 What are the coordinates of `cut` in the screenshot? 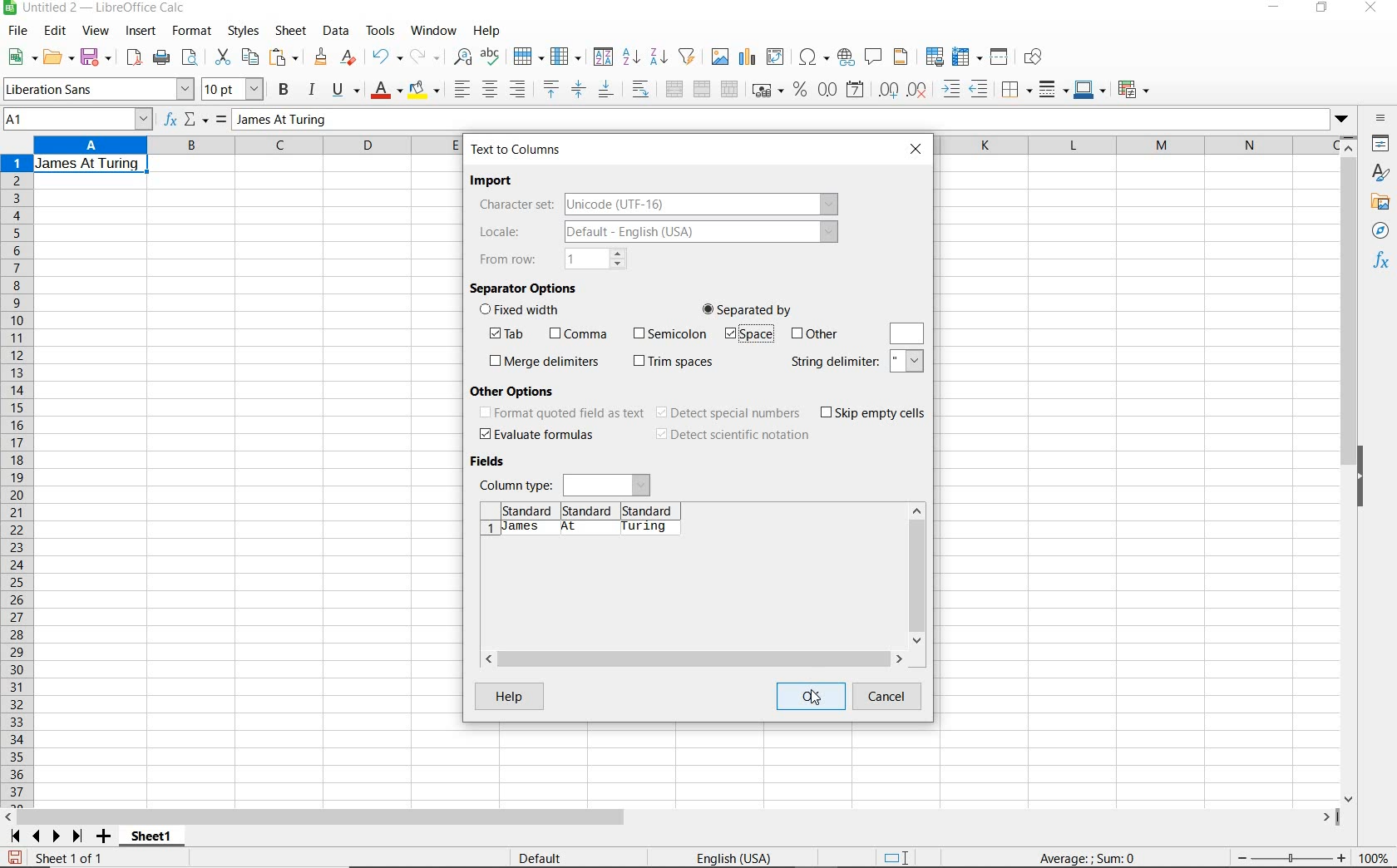 It's located at (221, 57).